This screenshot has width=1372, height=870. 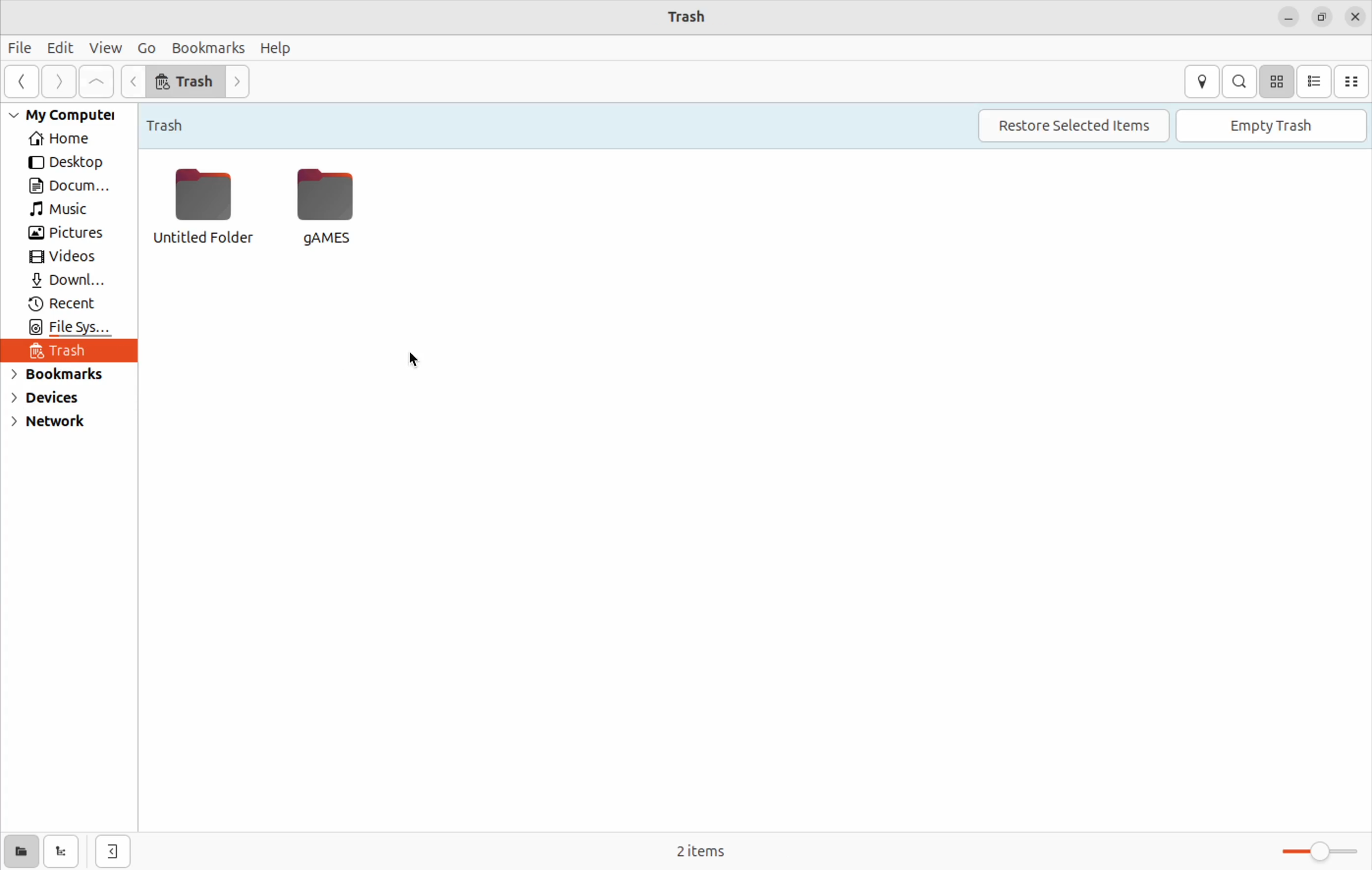 I want to click on forward, so click(x=55, y=84).